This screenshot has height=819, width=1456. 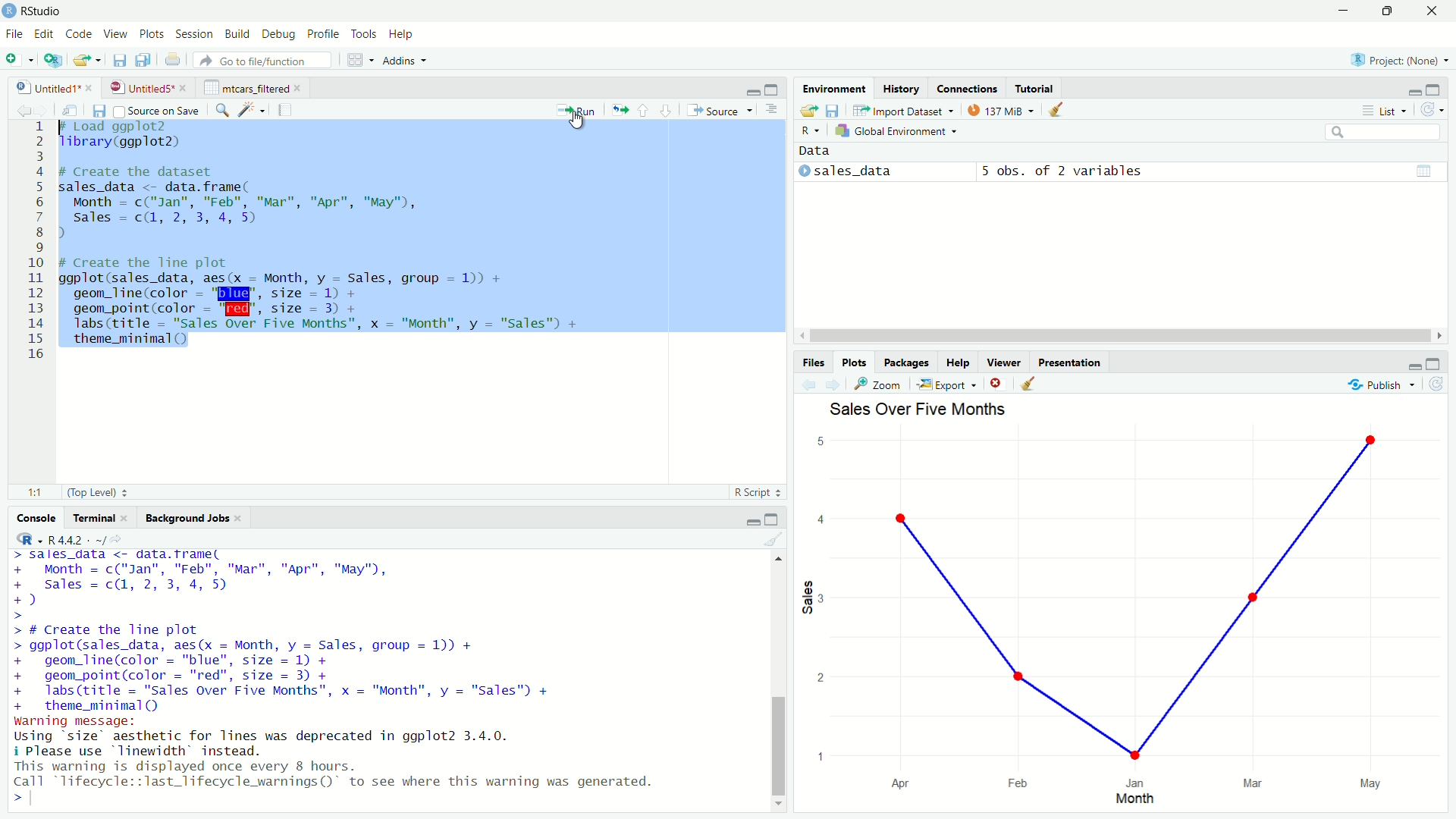 What do you see at coordinates (959, 363) in the screenshot?
I see `help` at bounding box center [959, 363].